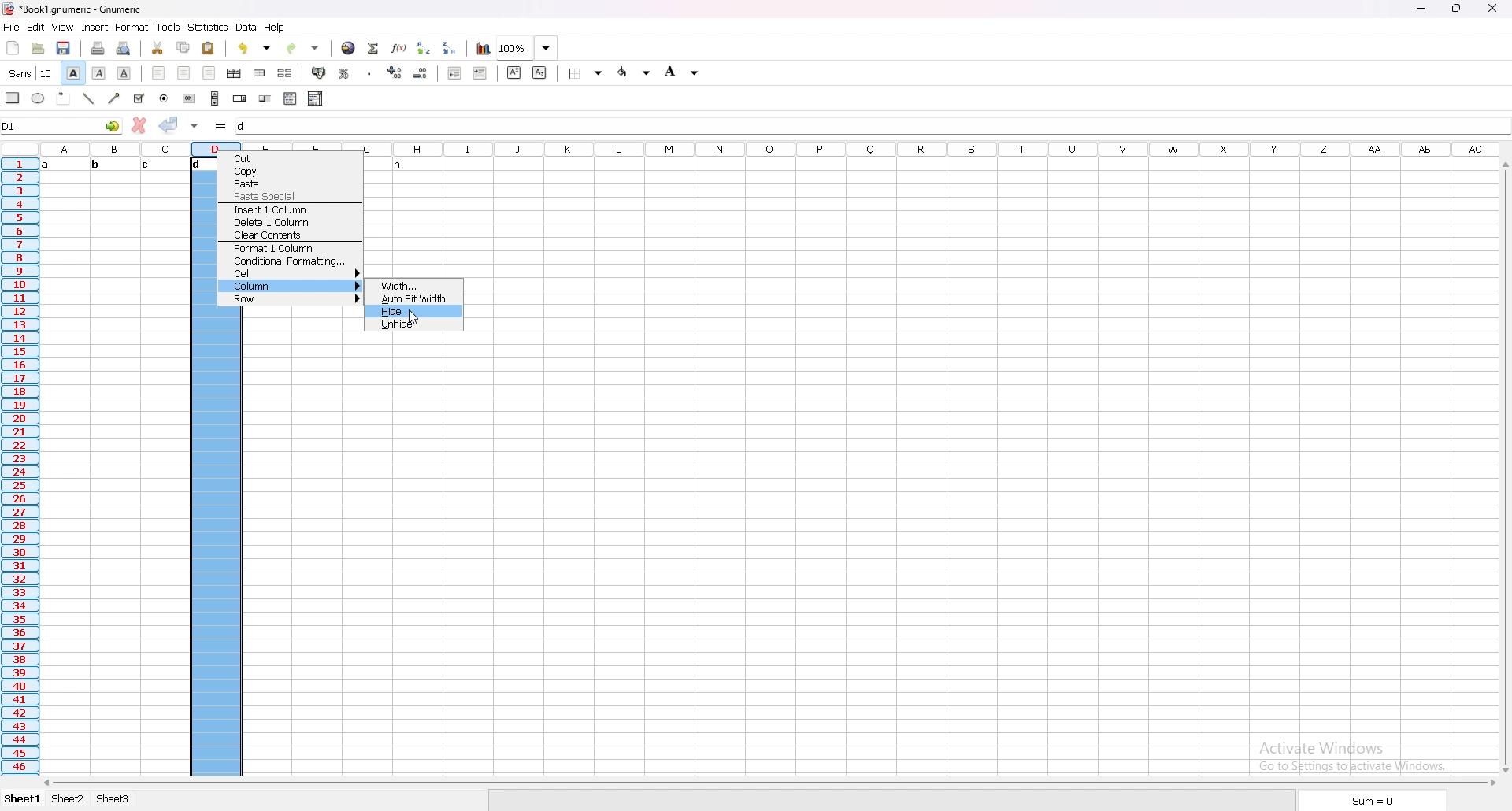 This screenshot has width=1512, height=811. What do you see at coordinates (29, 72) in the screenshot?
I see `font` at bounding box center [29, 72].